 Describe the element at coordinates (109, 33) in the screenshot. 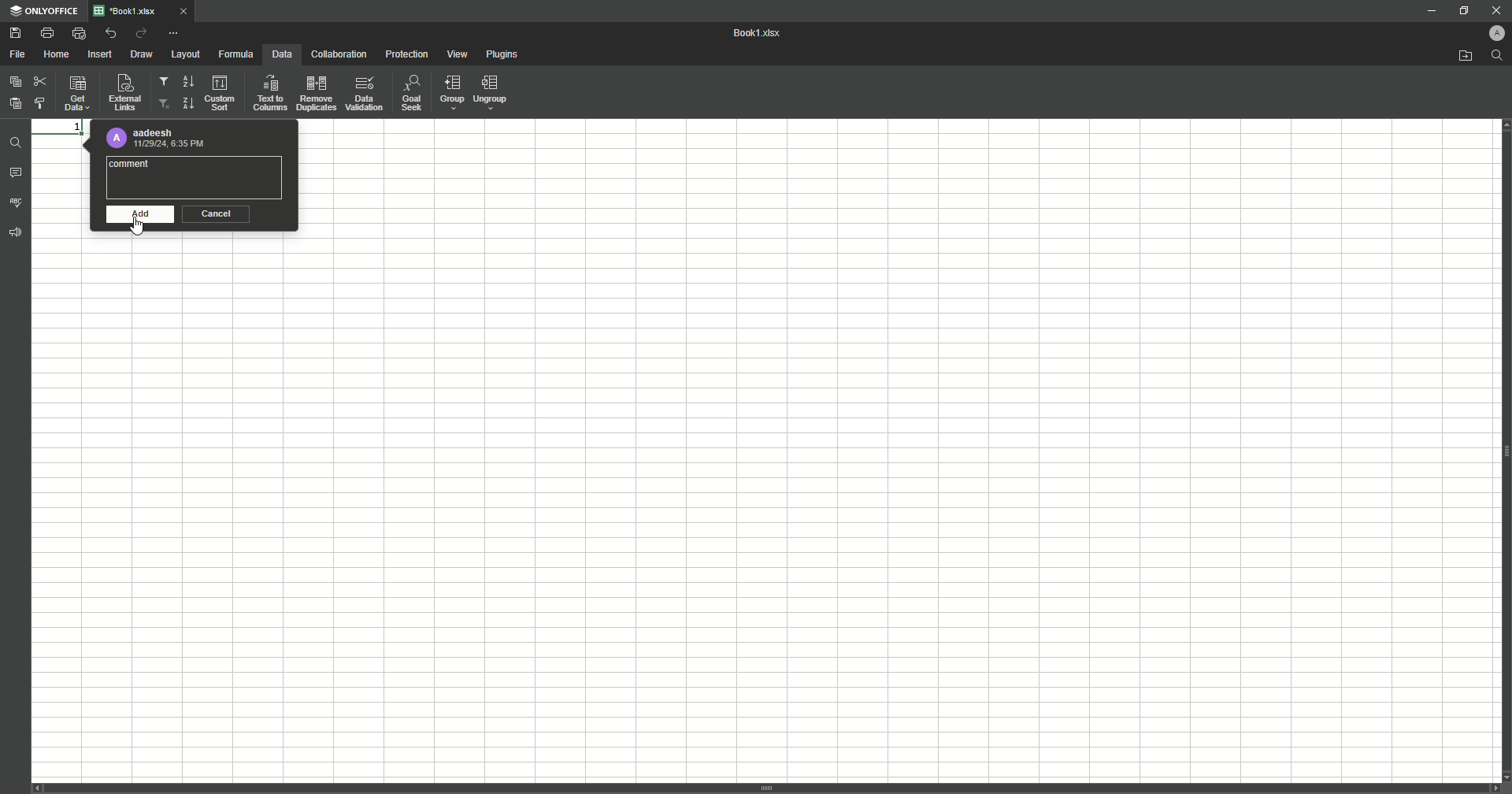

I see `Undo` at that location.